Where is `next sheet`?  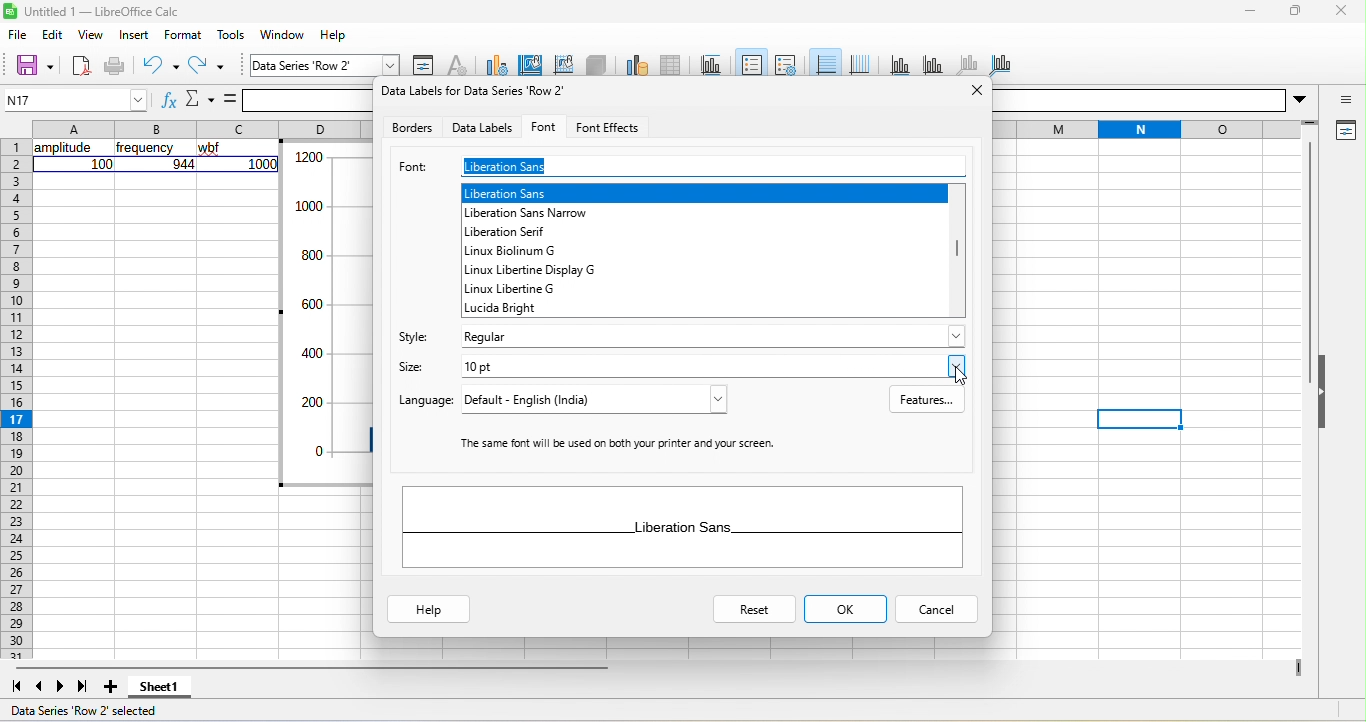
next sheet is located at coordinates (62, 685).